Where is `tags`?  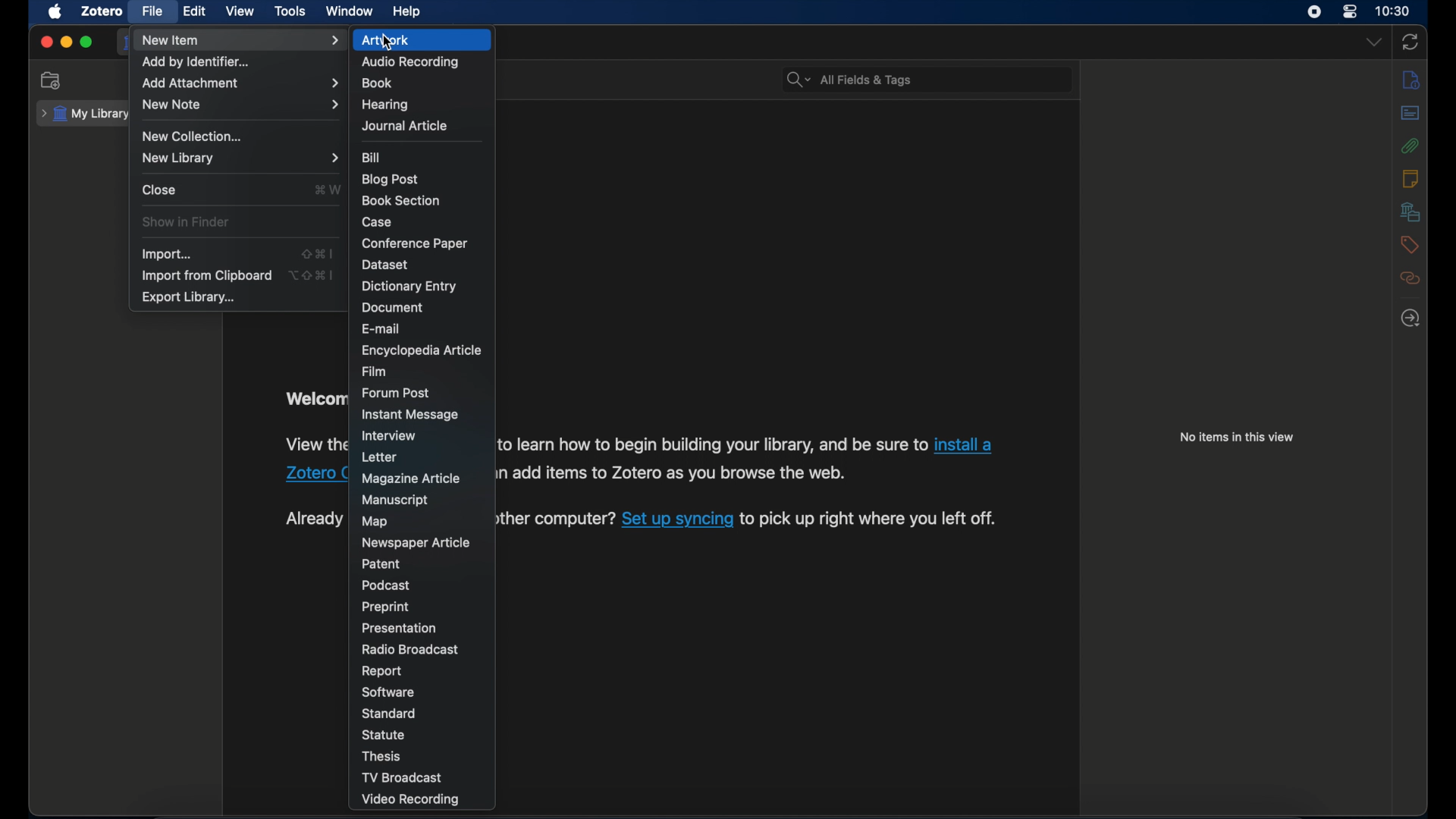
tags is located at coordinates (1407, 244).